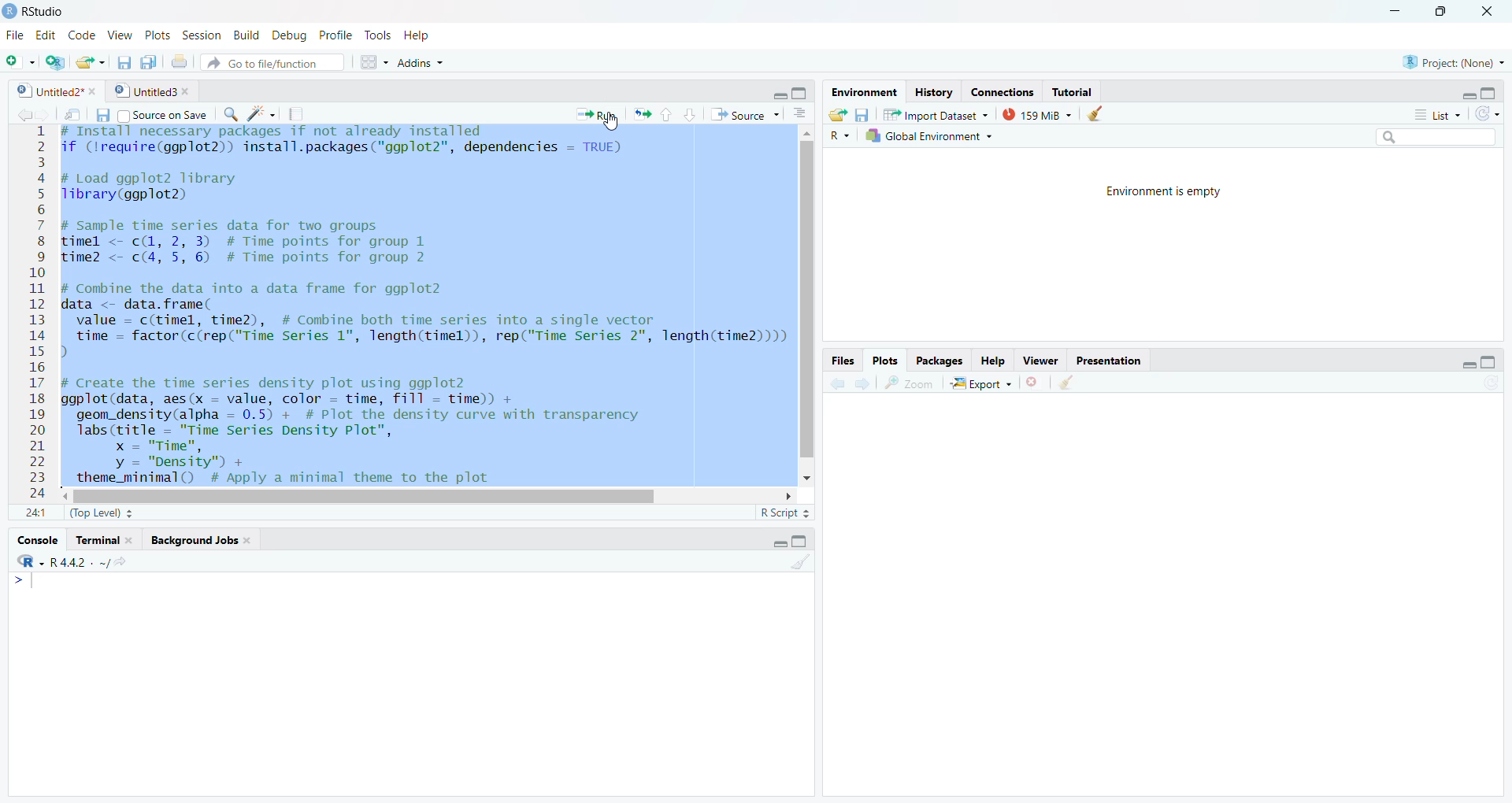 This screenshot has width=1512, height=803. What do you see at coordinates (91, 62) in the screenshot?
I see `Open existing file` at bounding box center [91, 62].